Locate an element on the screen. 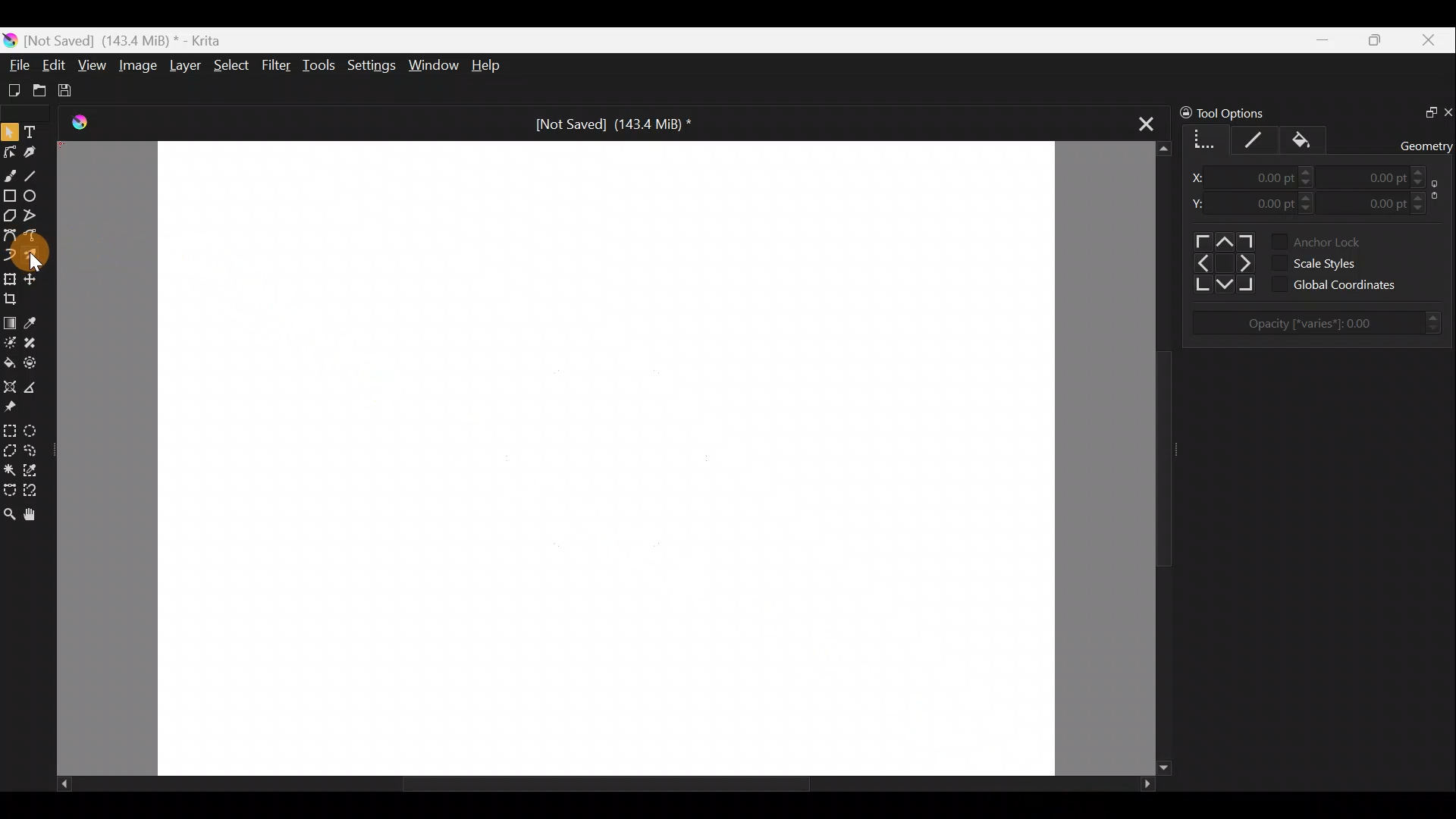 The height and width of the screenshot is (819, 1456). Freehand selection tool is located at coordinates (33, 450).